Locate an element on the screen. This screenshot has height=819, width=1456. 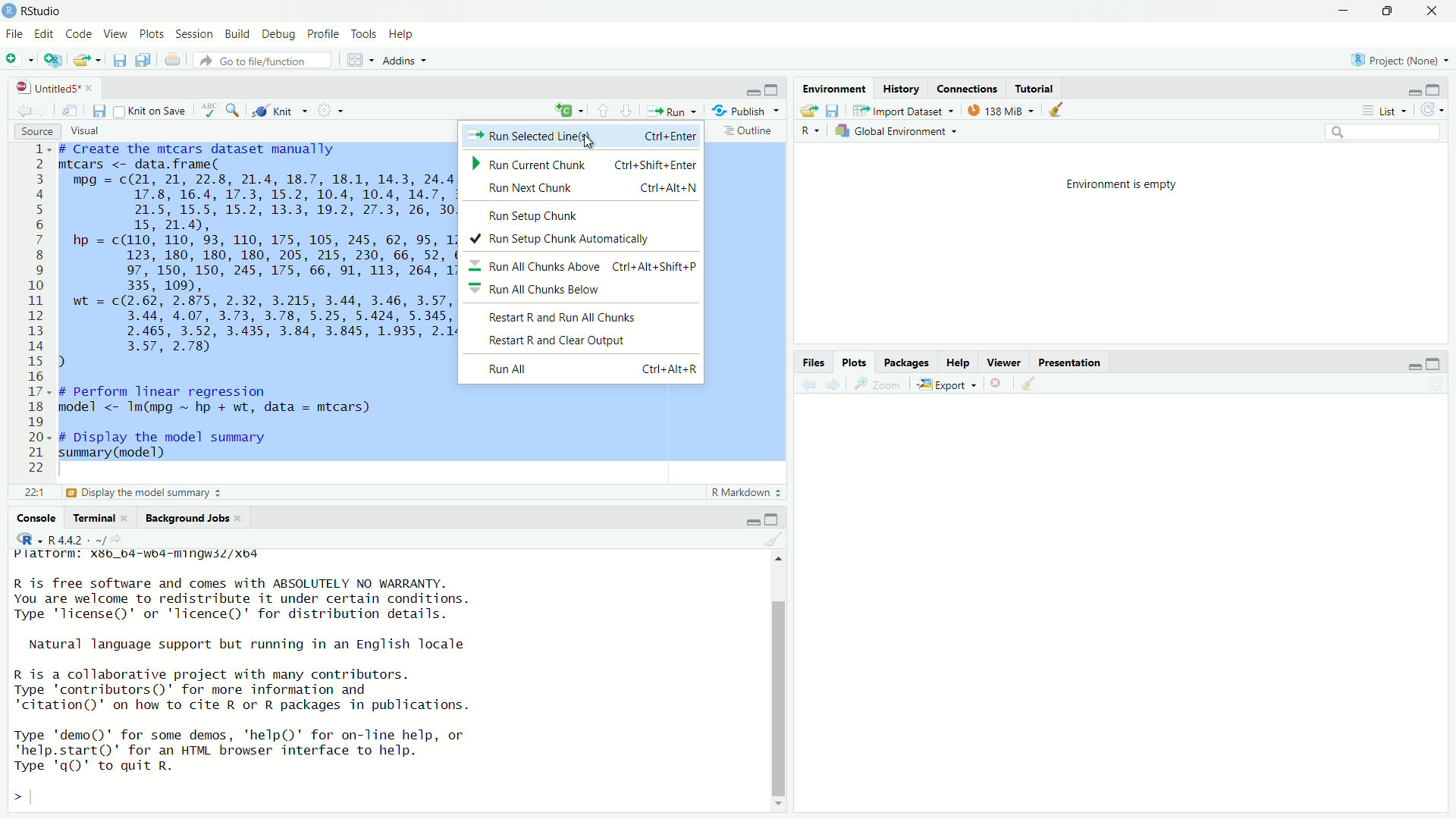
Publish is located at coordinates (739, 110).